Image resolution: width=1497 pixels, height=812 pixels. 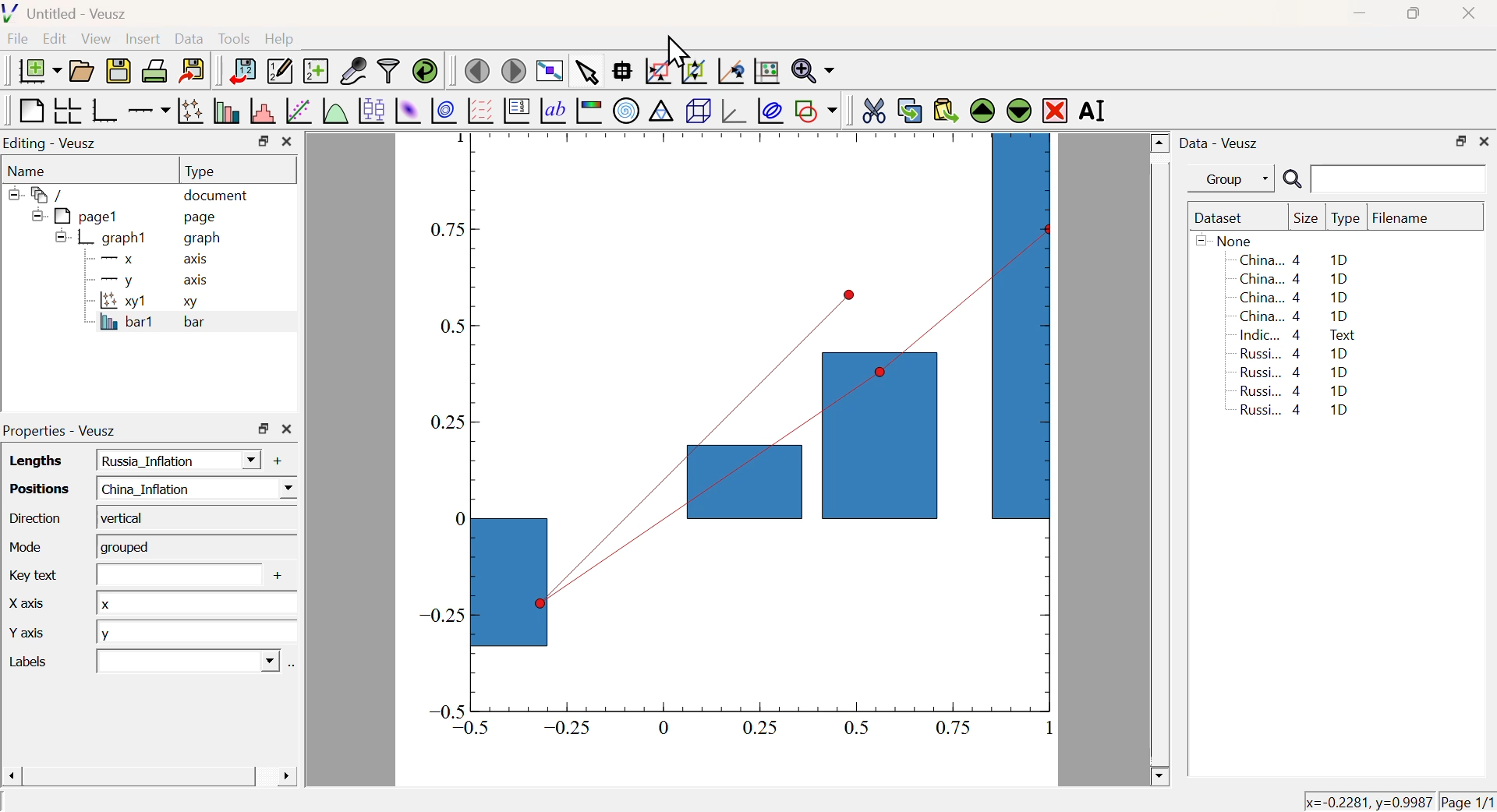 I want to click on Labels, so click(x=43, y=661).